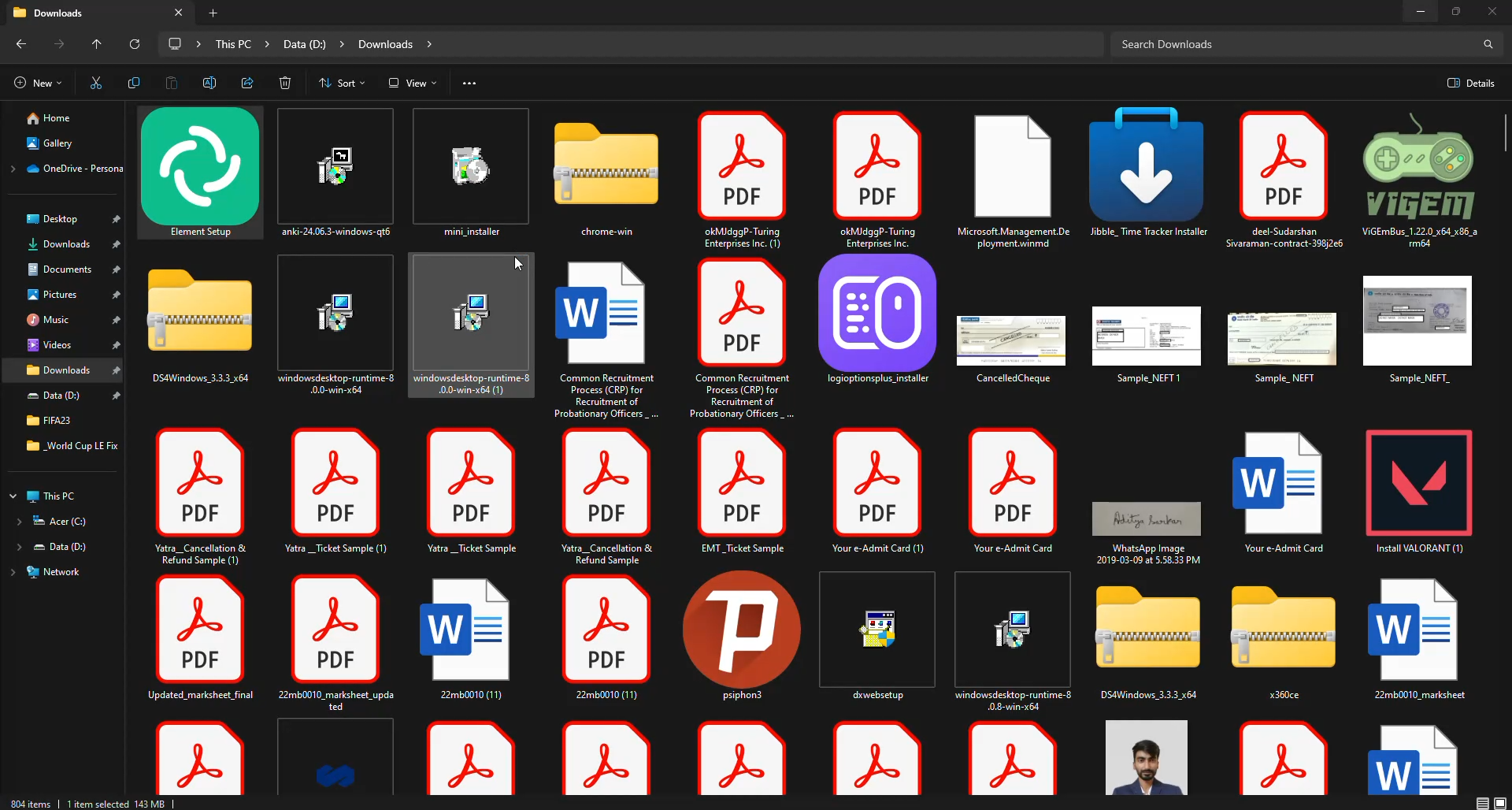  What do you see at coordinates (336, 326) in the screenshot?
I see `file` at bounding box center [336, 326].